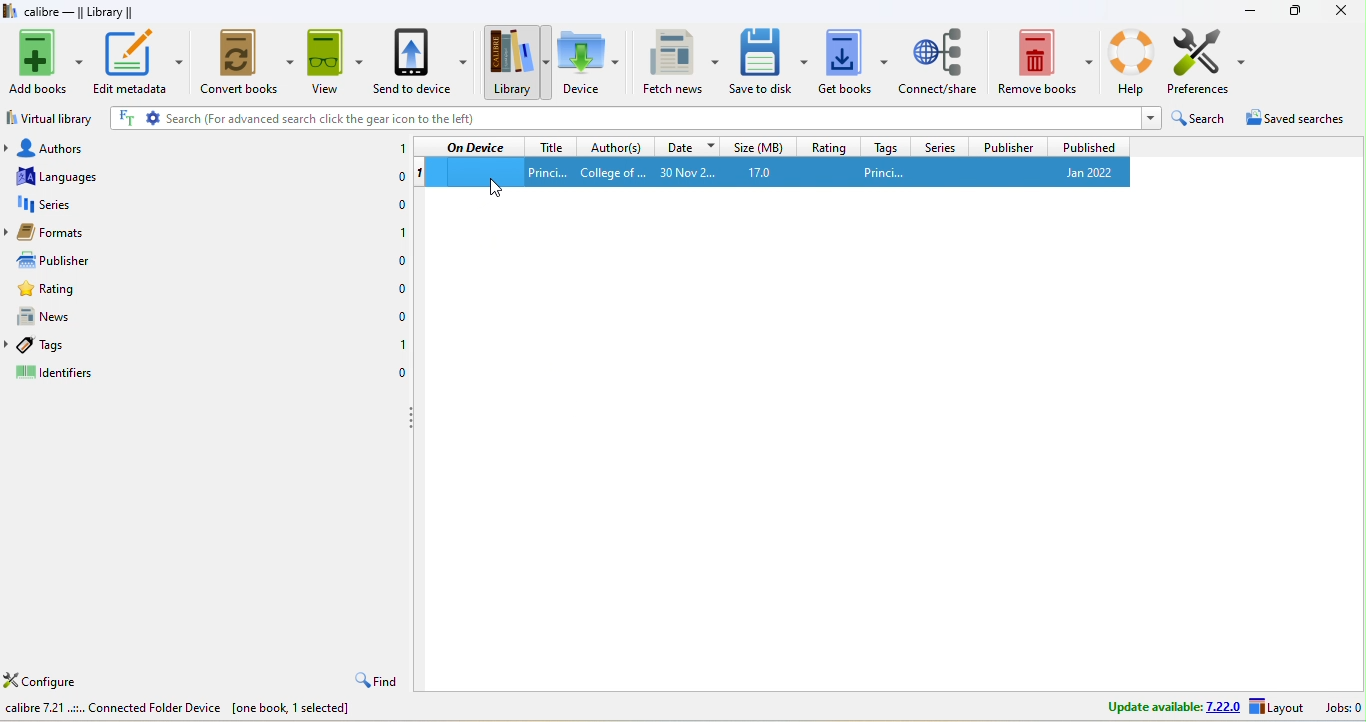 The height and width of the screenshot is (722, 1366). Describe the element at coordinates (550, 145) in the screenshot. I see `title` at that location.